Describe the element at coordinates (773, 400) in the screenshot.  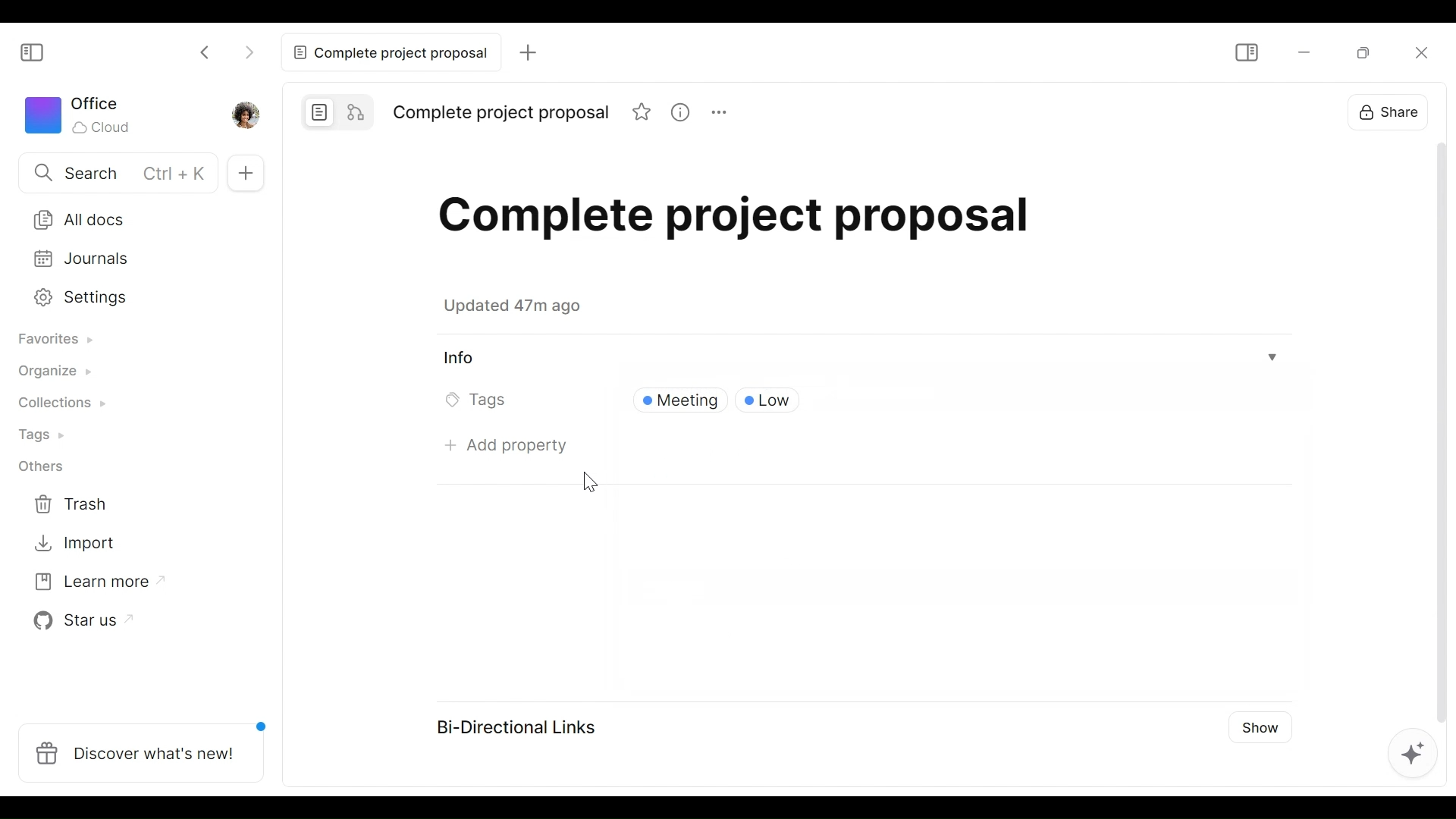
I see `Low X` at that location.